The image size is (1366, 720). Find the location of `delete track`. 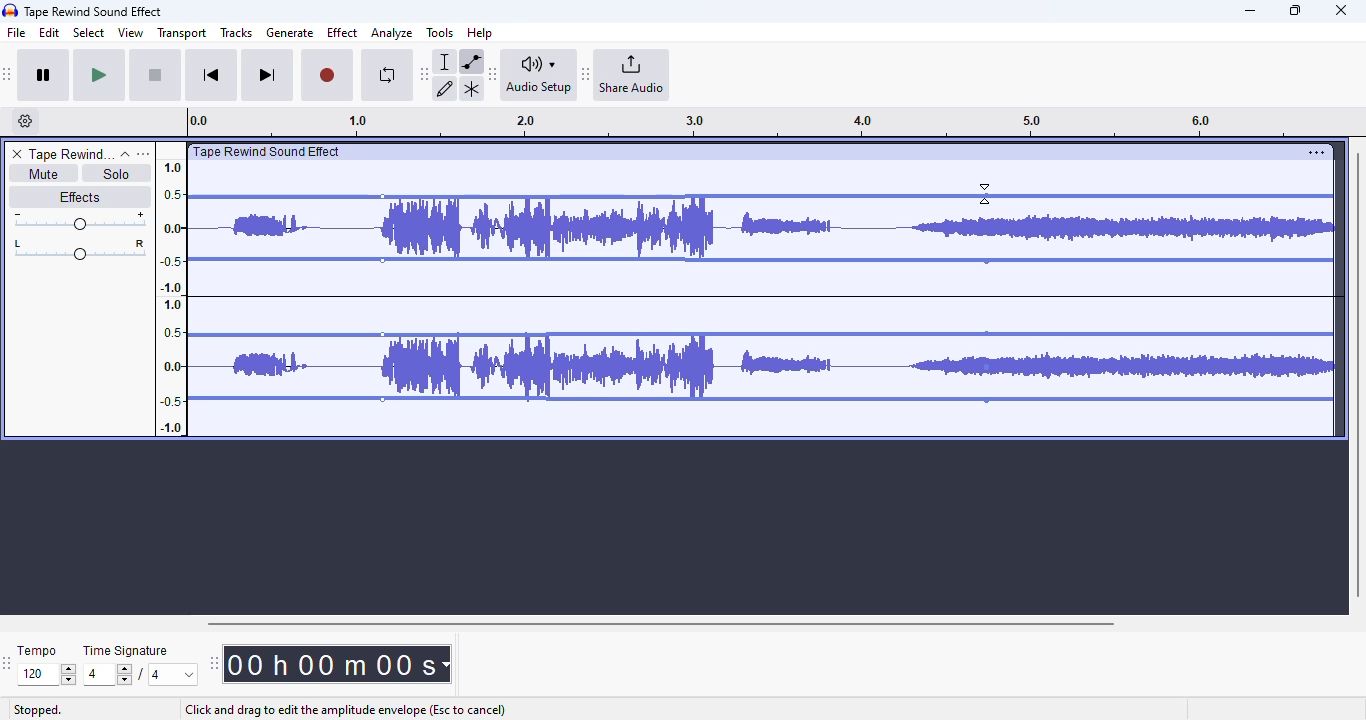

delete track is located at coordinates (17, 154).